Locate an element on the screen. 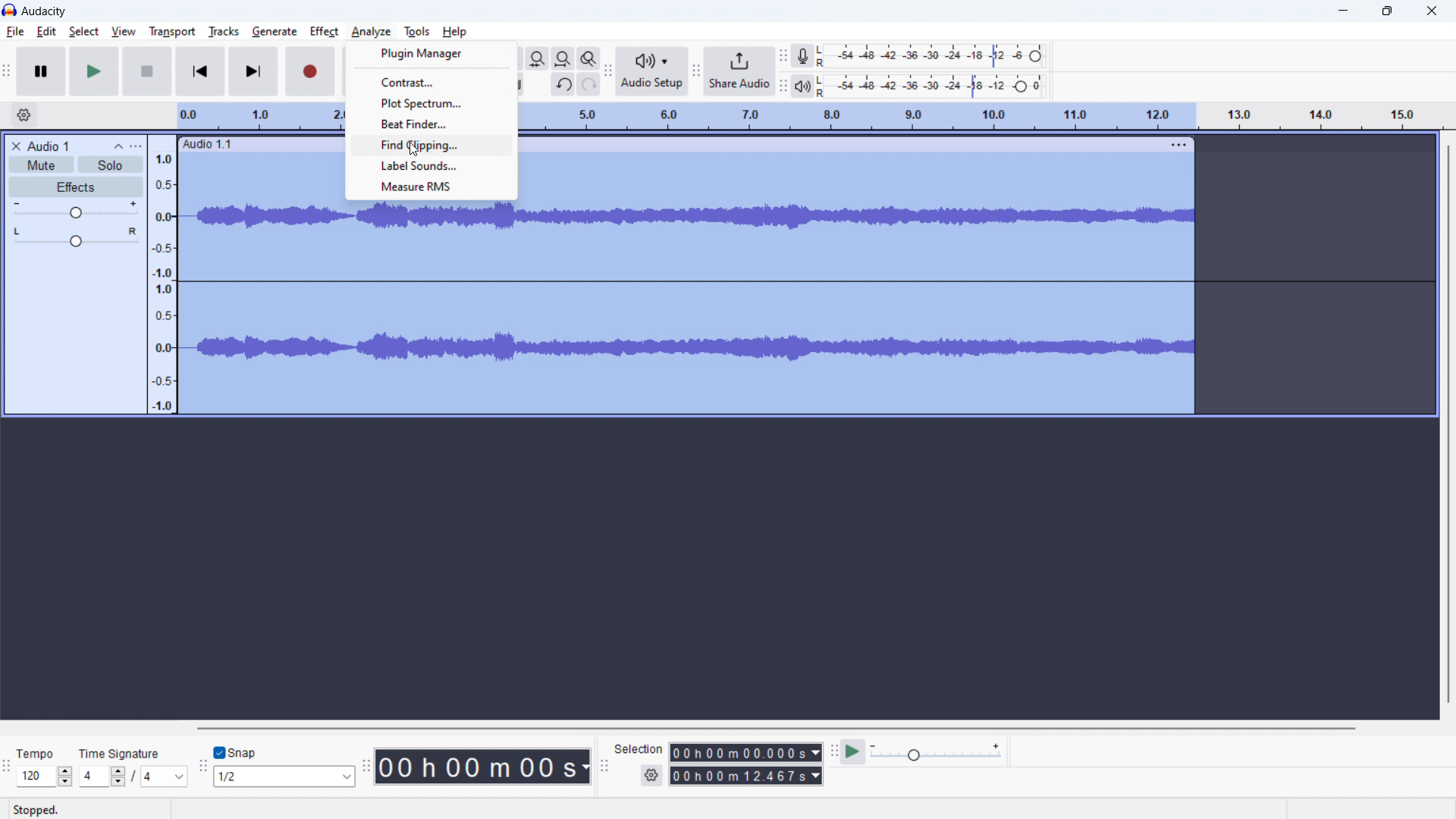 This screenshot has width=1456, height=819. balance is located at coordinates (75, 238).